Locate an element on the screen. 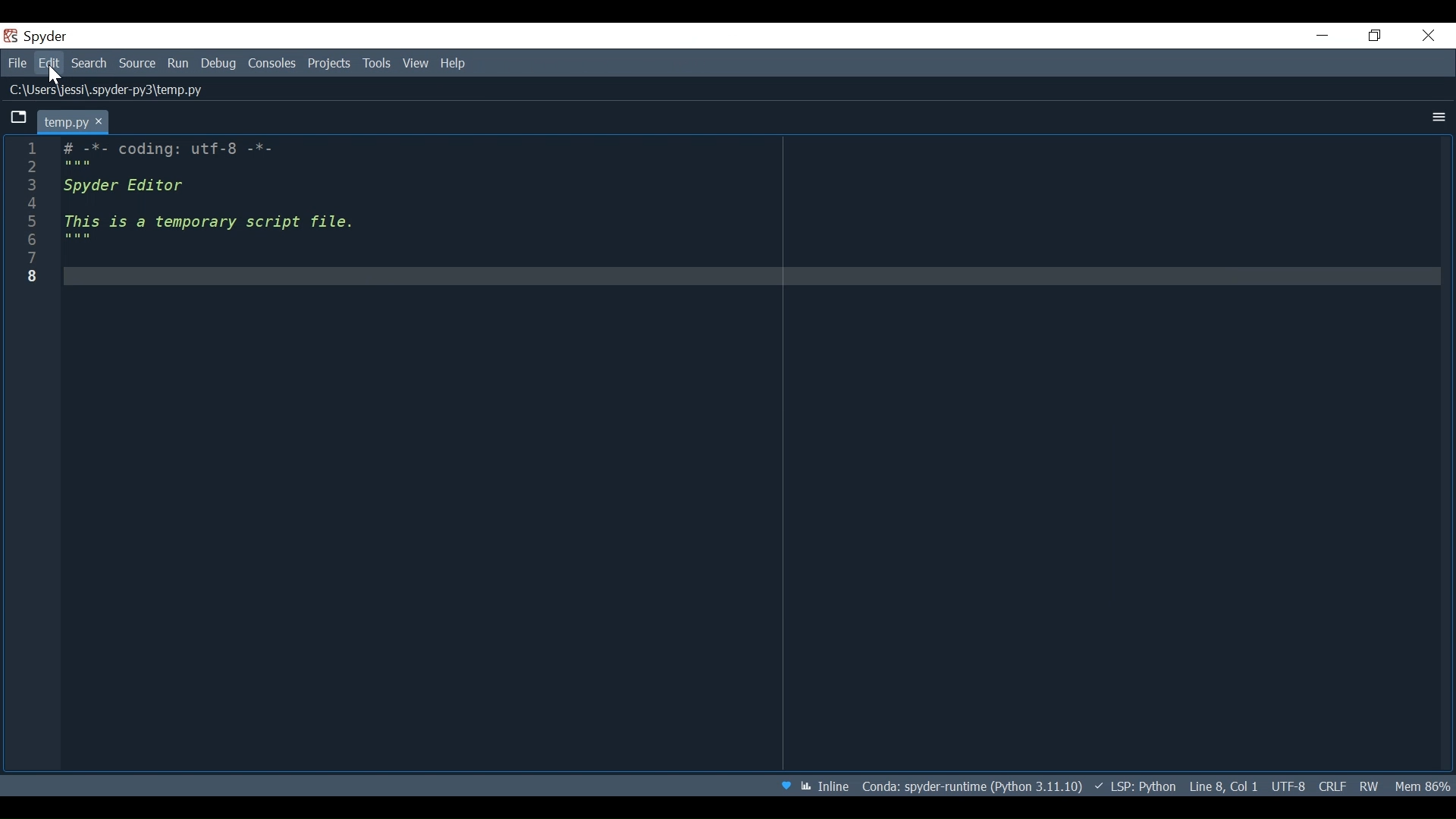 The image size is (1456, 819). Current tab is located at coordinates (63, 121).